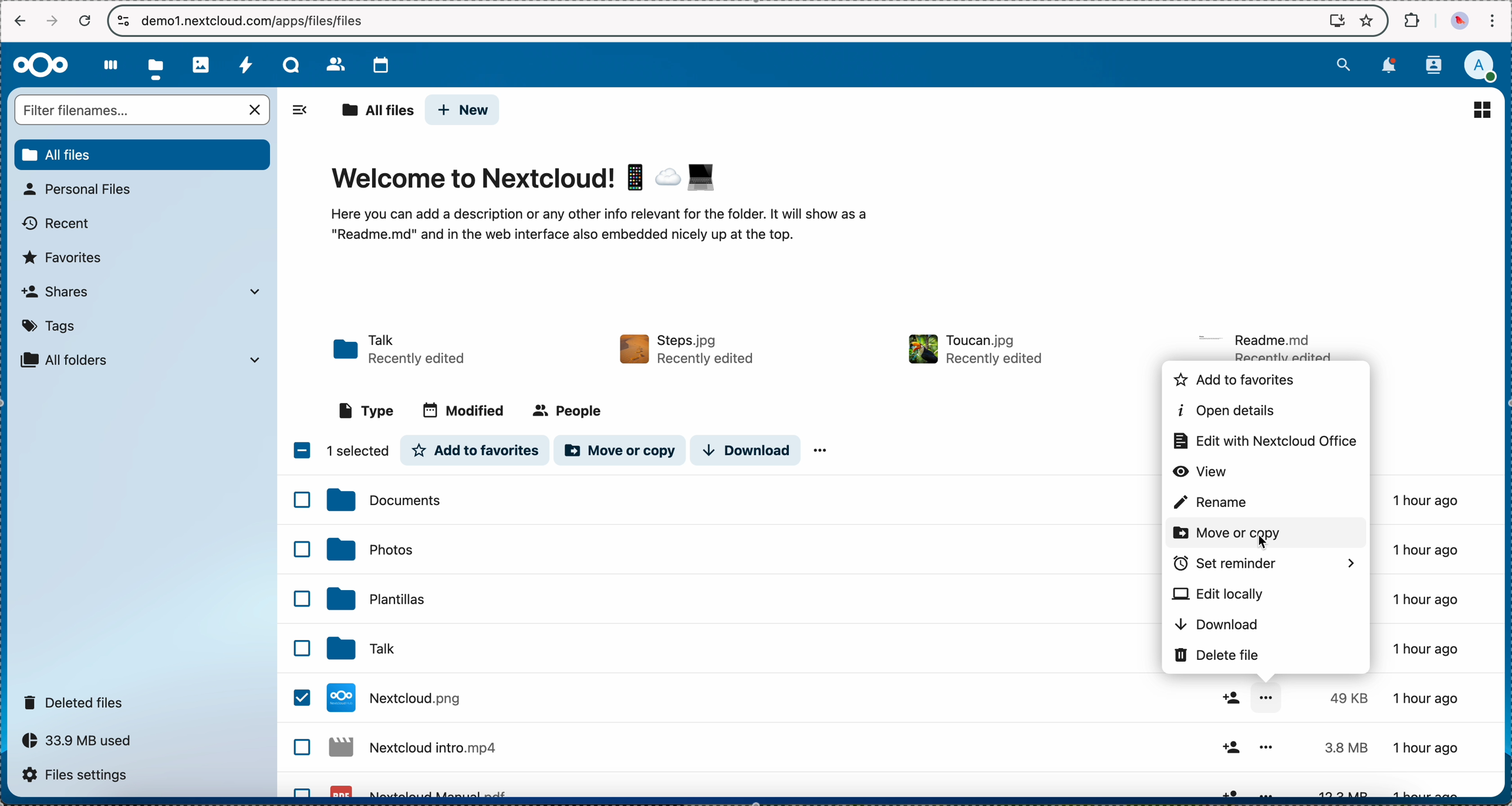 Image resolution: width=1512 pixels, height=806 pixels. What do you see at coordinates (48, 327) in the screenshot?
I see `tags` at bounding box center [48, 327].